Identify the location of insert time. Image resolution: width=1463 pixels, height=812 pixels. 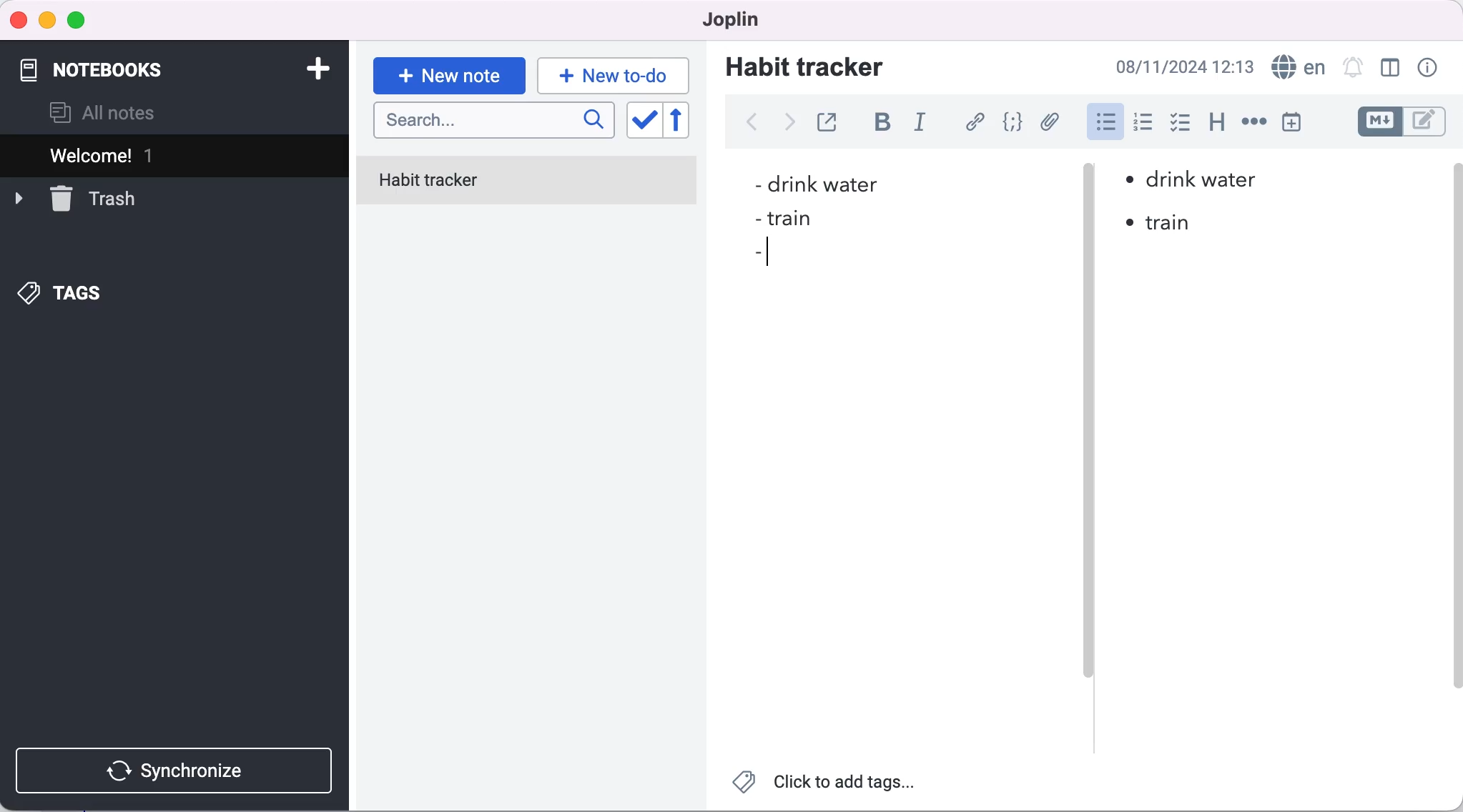
(1291, 122).